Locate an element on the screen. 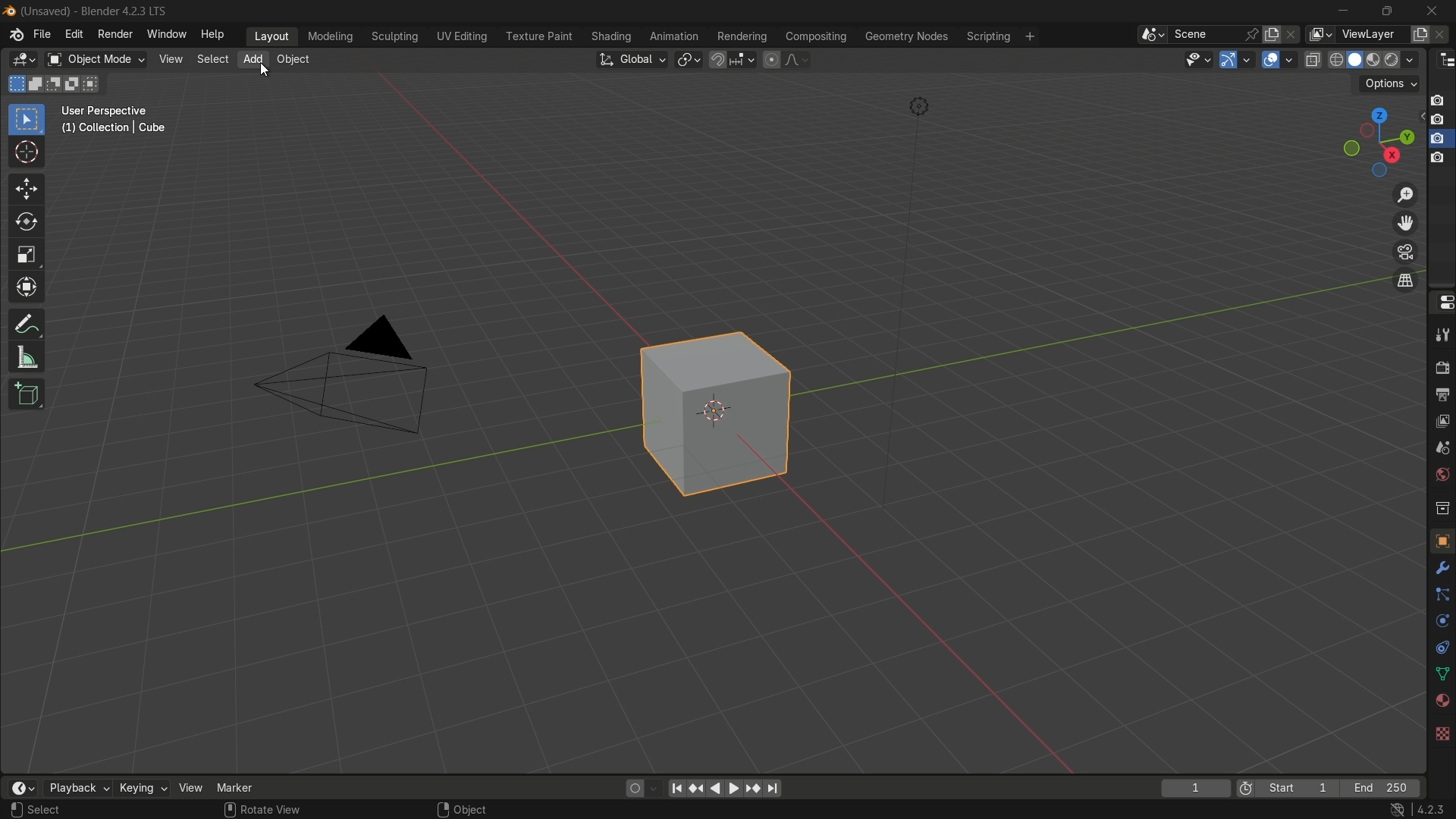 Image resolution: width=1456 pixels, height=819 pixels. object is located at coordinates (1442, 540).